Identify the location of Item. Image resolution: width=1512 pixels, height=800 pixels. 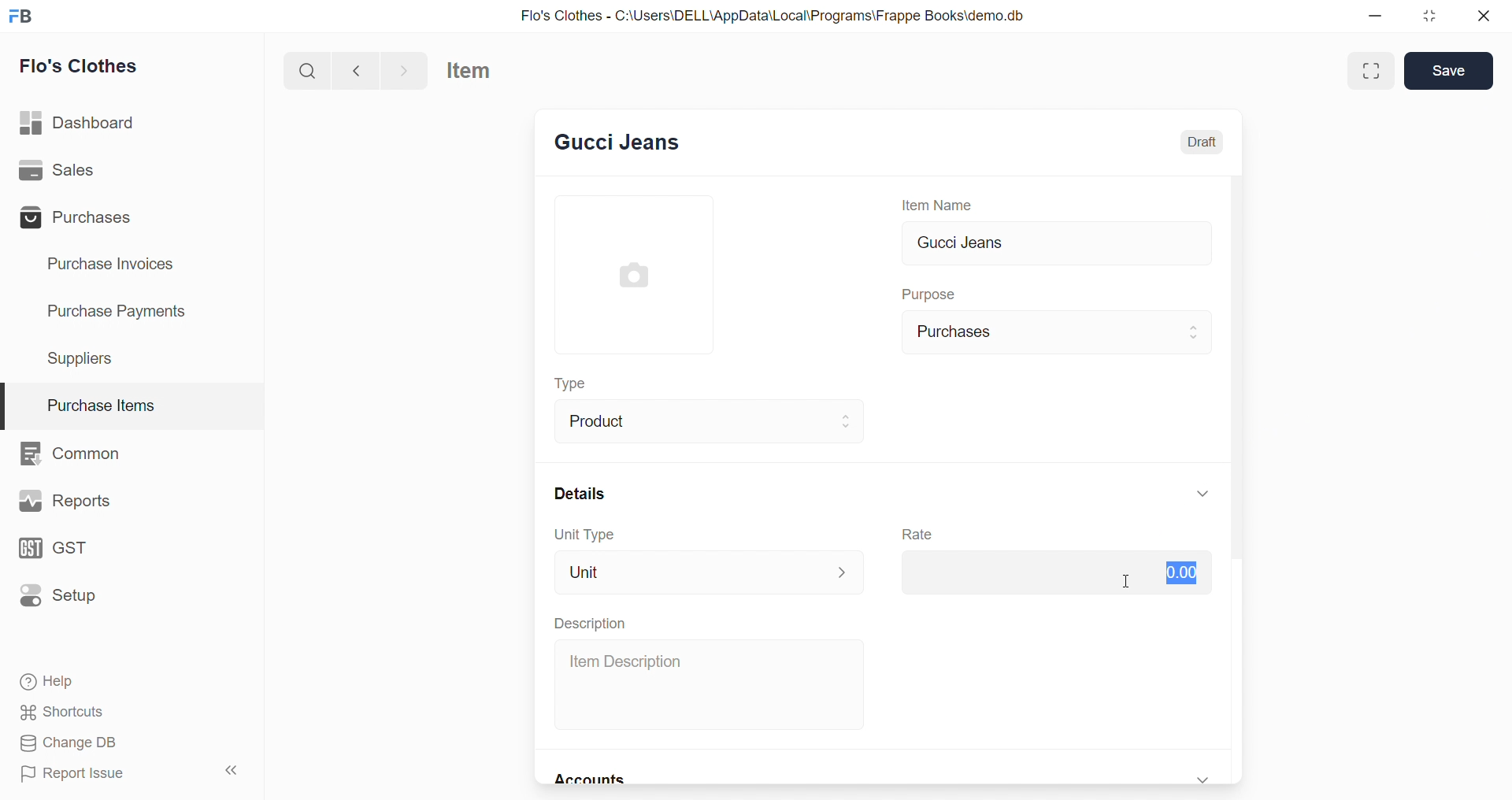
(480, 71).